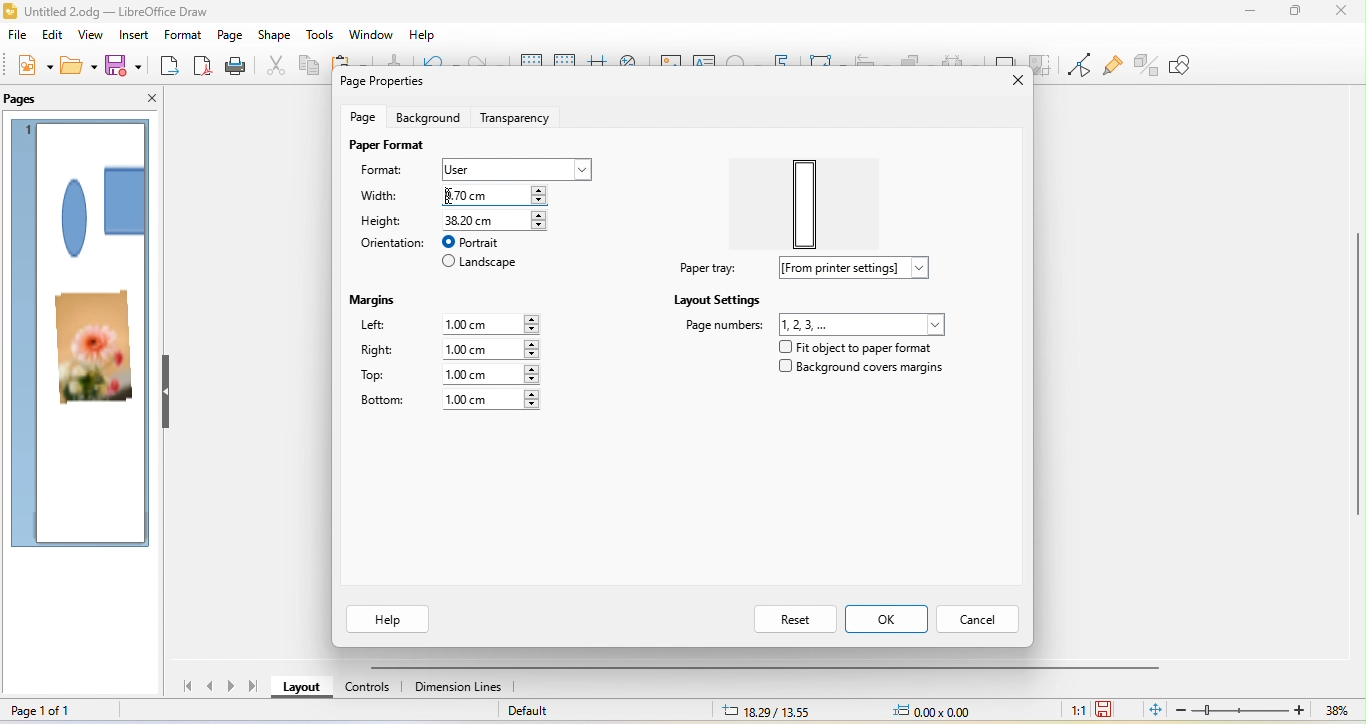  I want to click on transformation, so click(829, 64).